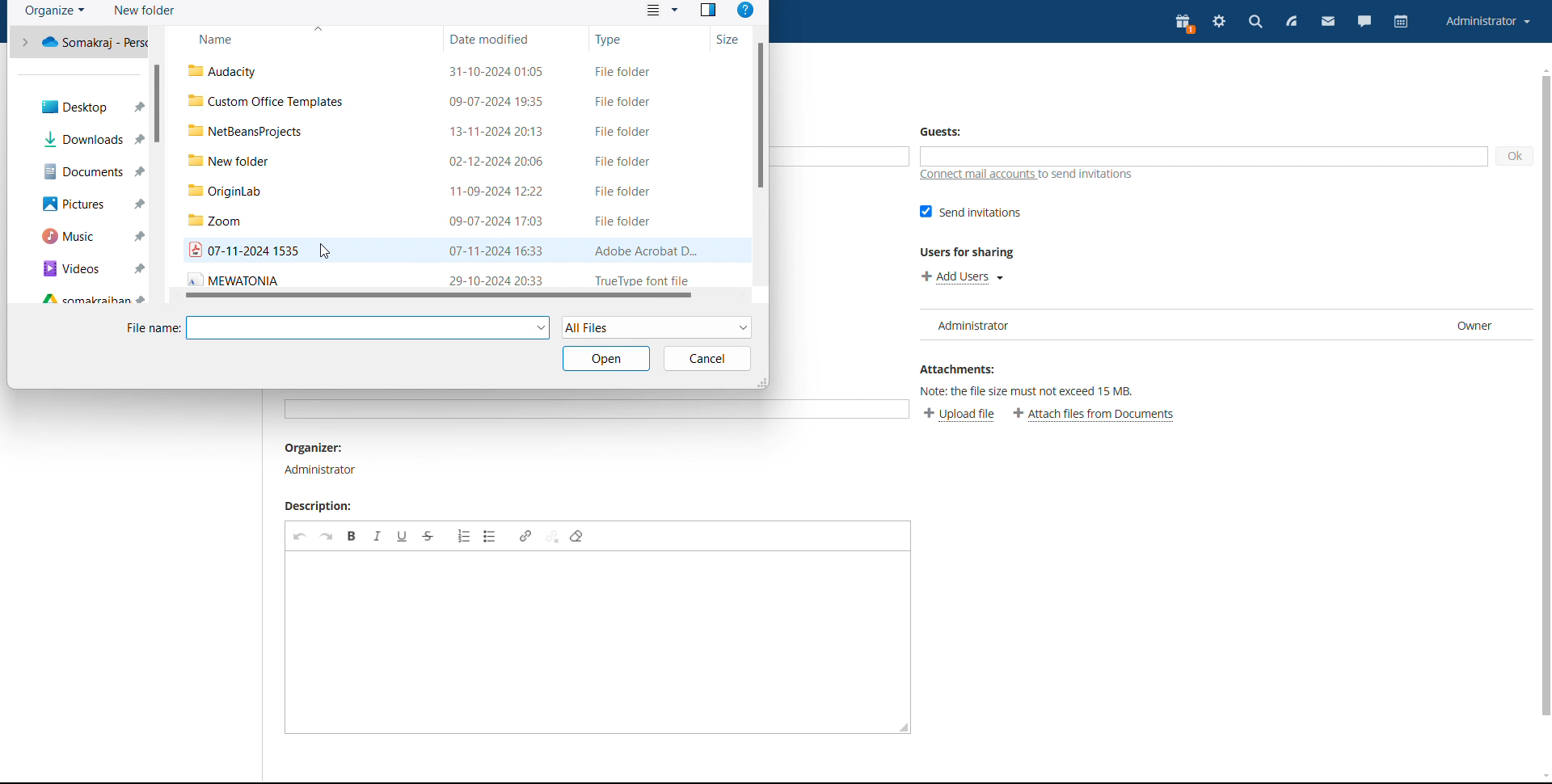 The image size is (1552, 784). What do you see at coordinates (963, 372) in the screenshot?
I see `Attachments ` at bounding box center [963, 372].